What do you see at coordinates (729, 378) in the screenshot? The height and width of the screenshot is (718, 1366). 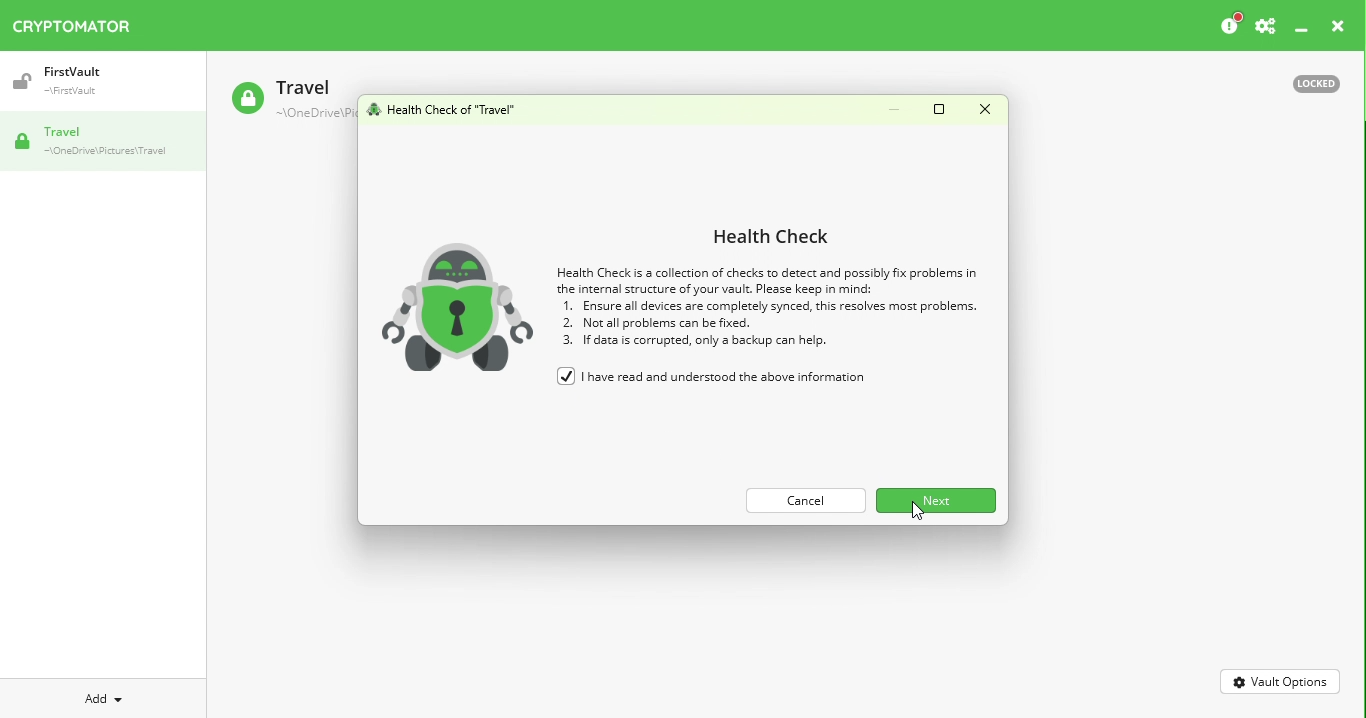 I see `I have read and understood the above information` at bounding box center [729, 378].